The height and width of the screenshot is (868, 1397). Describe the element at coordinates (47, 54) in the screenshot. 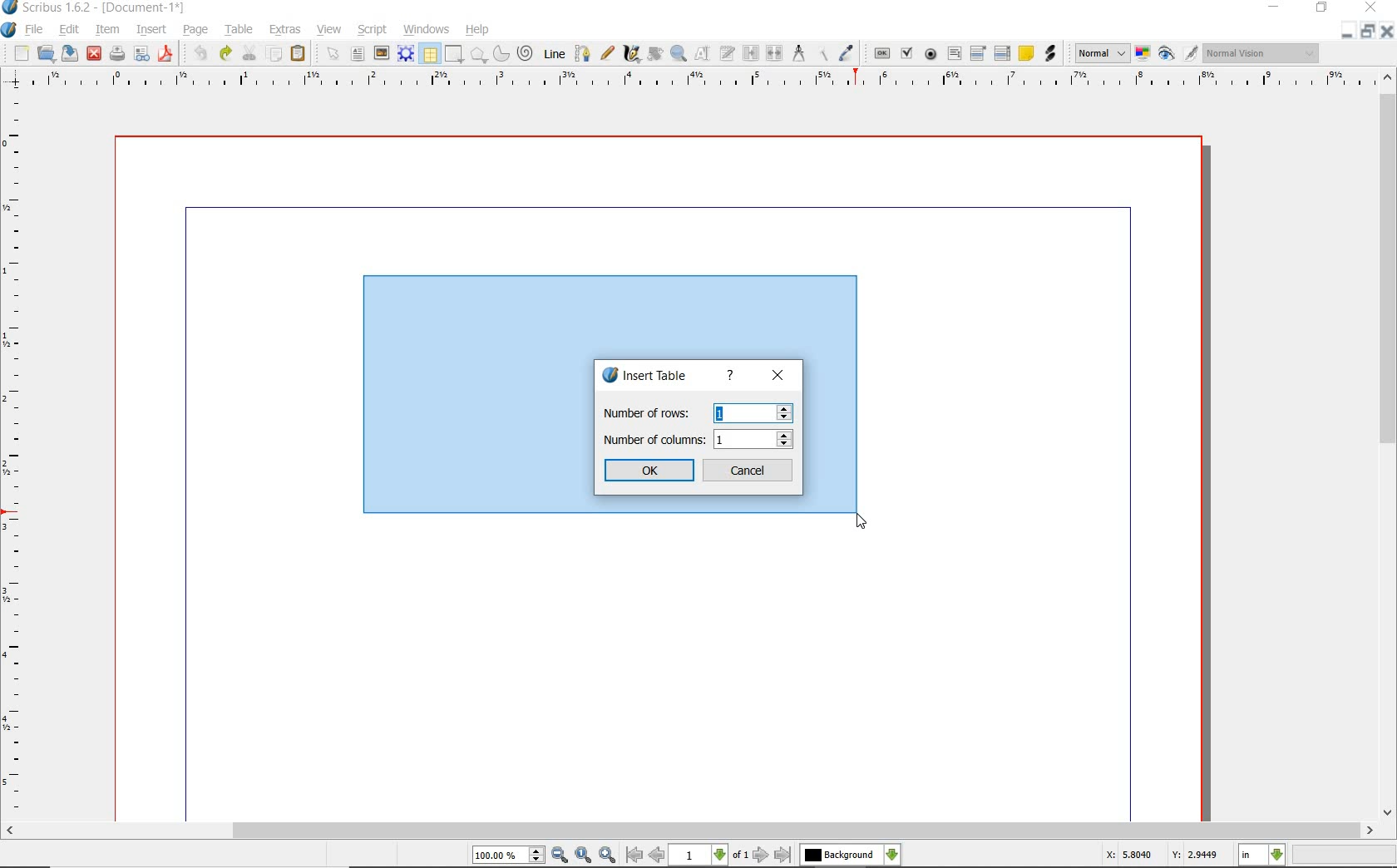

I see `open` at that location.